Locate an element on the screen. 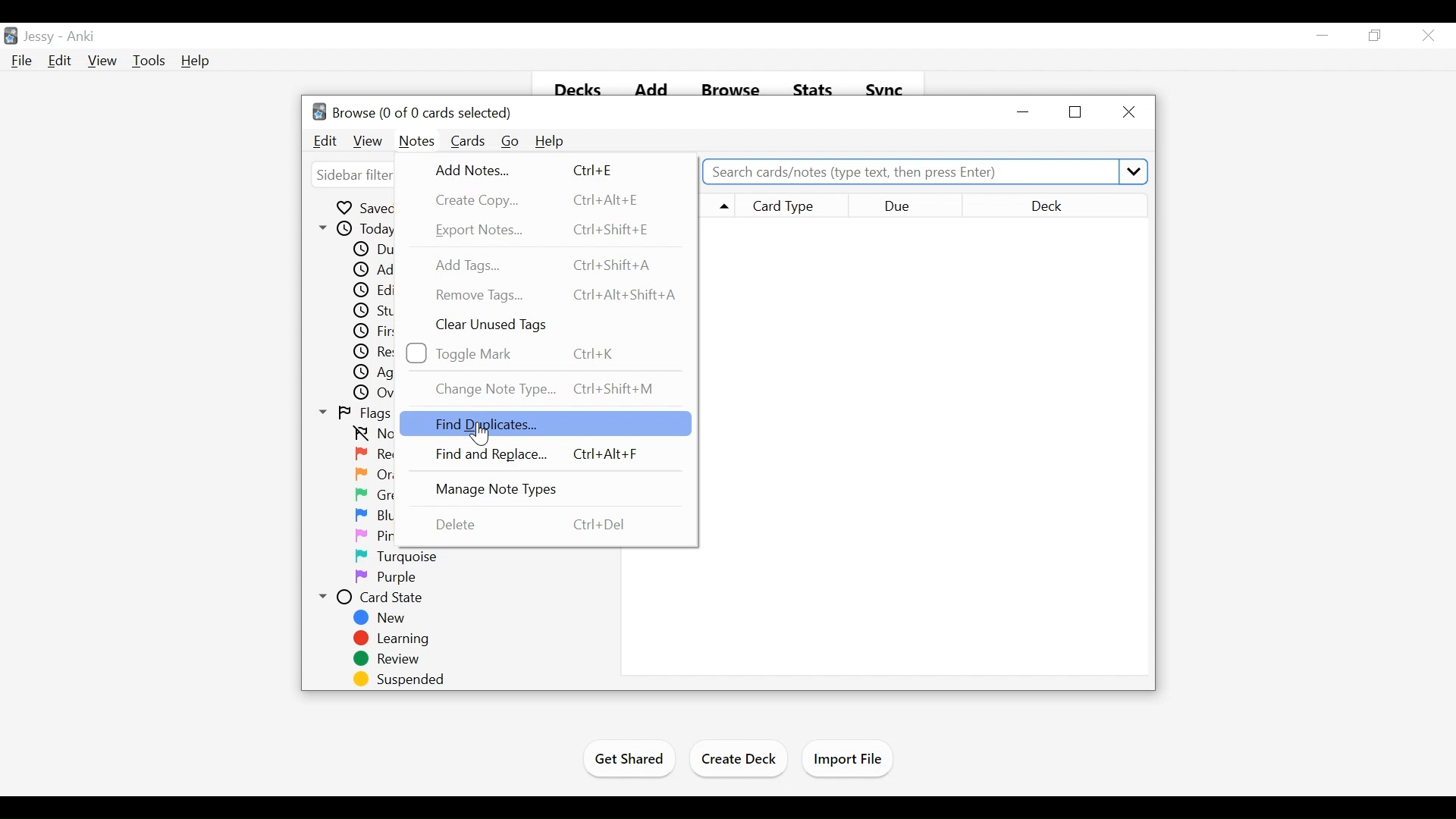 This screenshot has width=1456, height=819. Cursor is located at coordinates (479, 435).